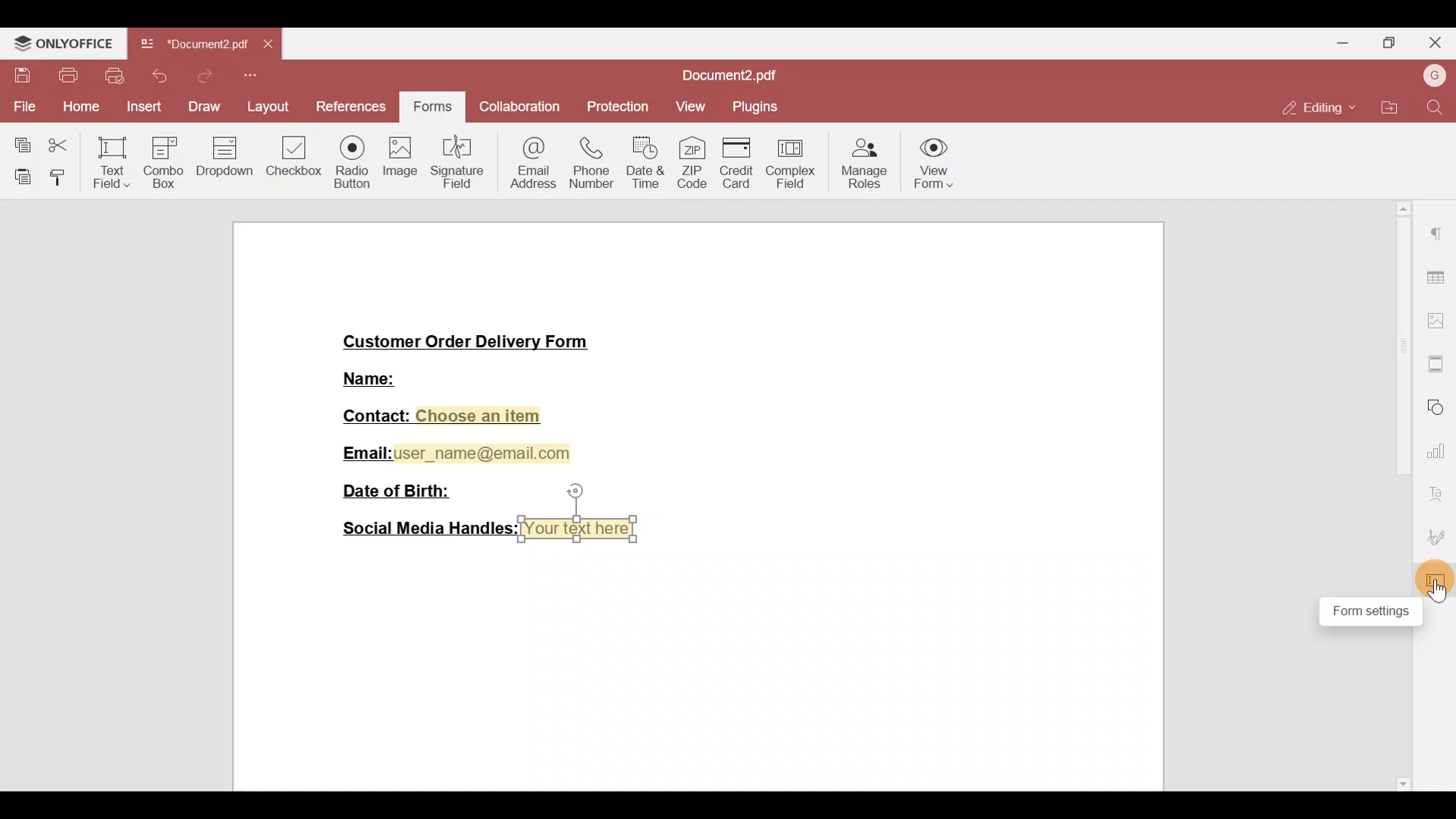 Image resolution: width=1456 pixels, height=819 pixels. Describe the element at coordinates (1316, 108) in the screenshot. I see `Editing mode` at that location.